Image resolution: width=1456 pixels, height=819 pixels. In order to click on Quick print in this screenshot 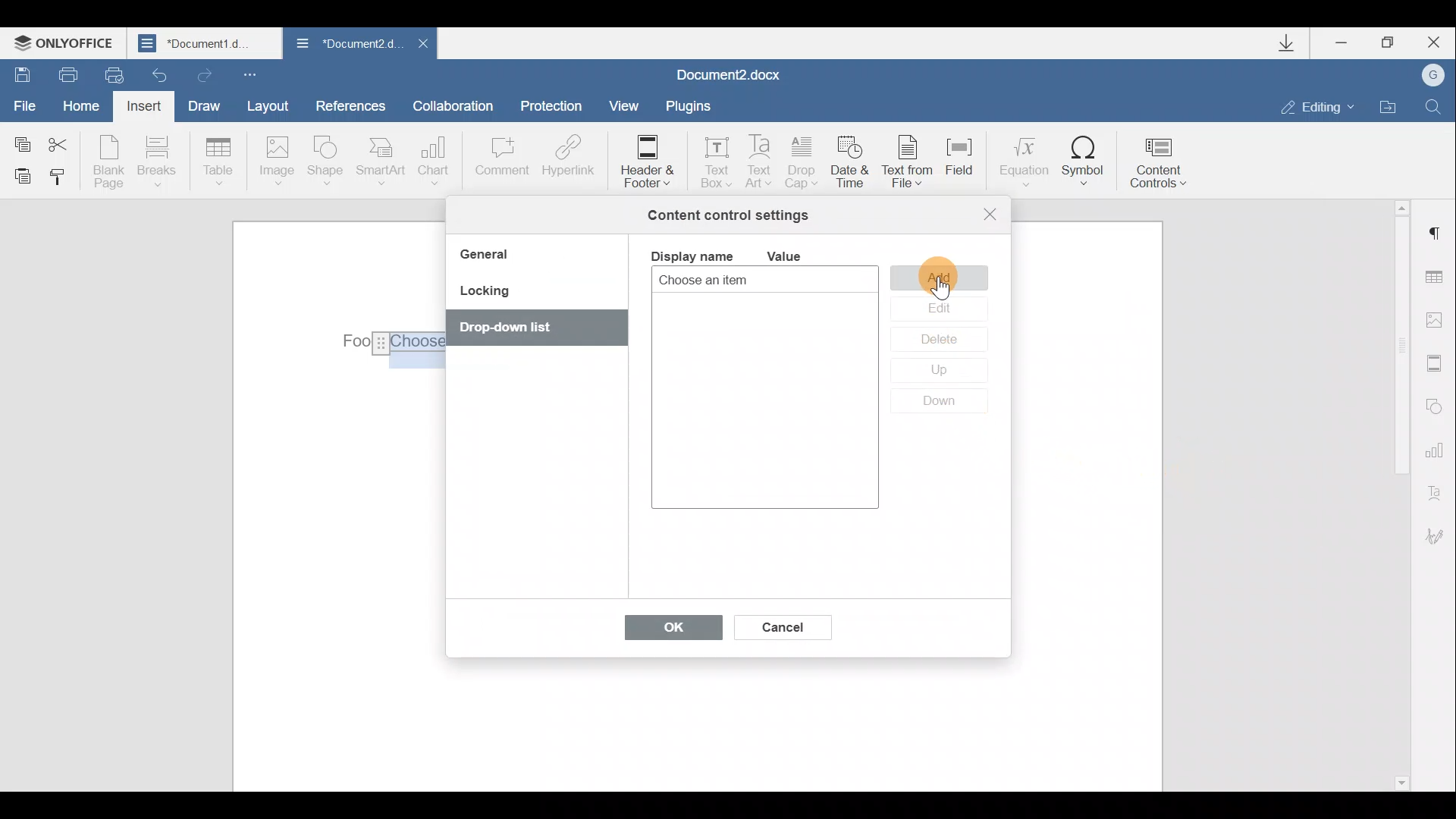, I will do `click(112, 76)`.